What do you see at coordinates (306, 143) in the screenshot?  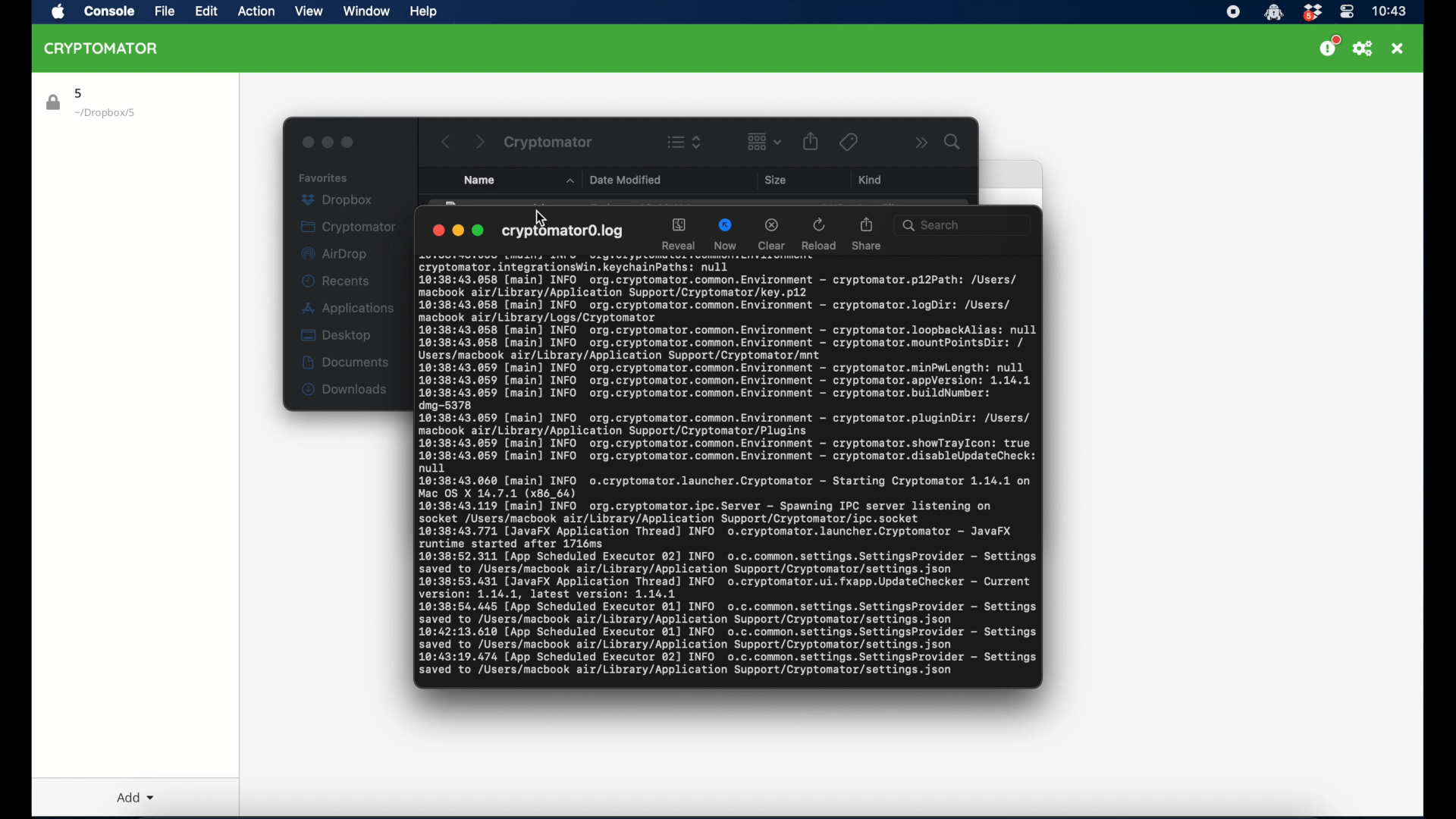 I see `close` at bounding box center [306, 143].